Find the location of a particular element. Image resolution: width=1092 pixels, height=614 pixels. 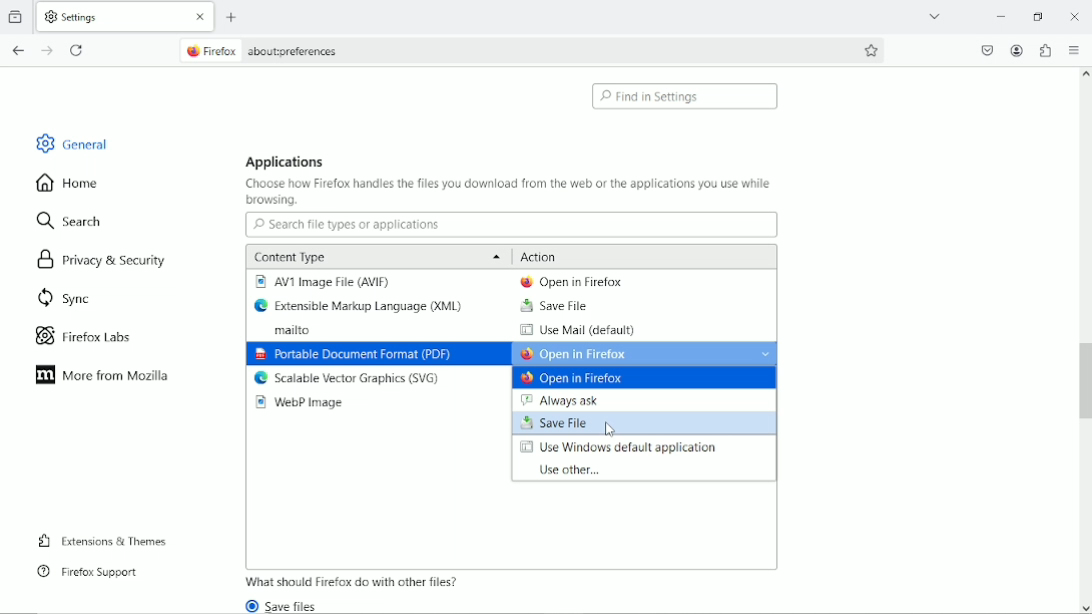

Open application menu is located at coordinates (1075, 50).